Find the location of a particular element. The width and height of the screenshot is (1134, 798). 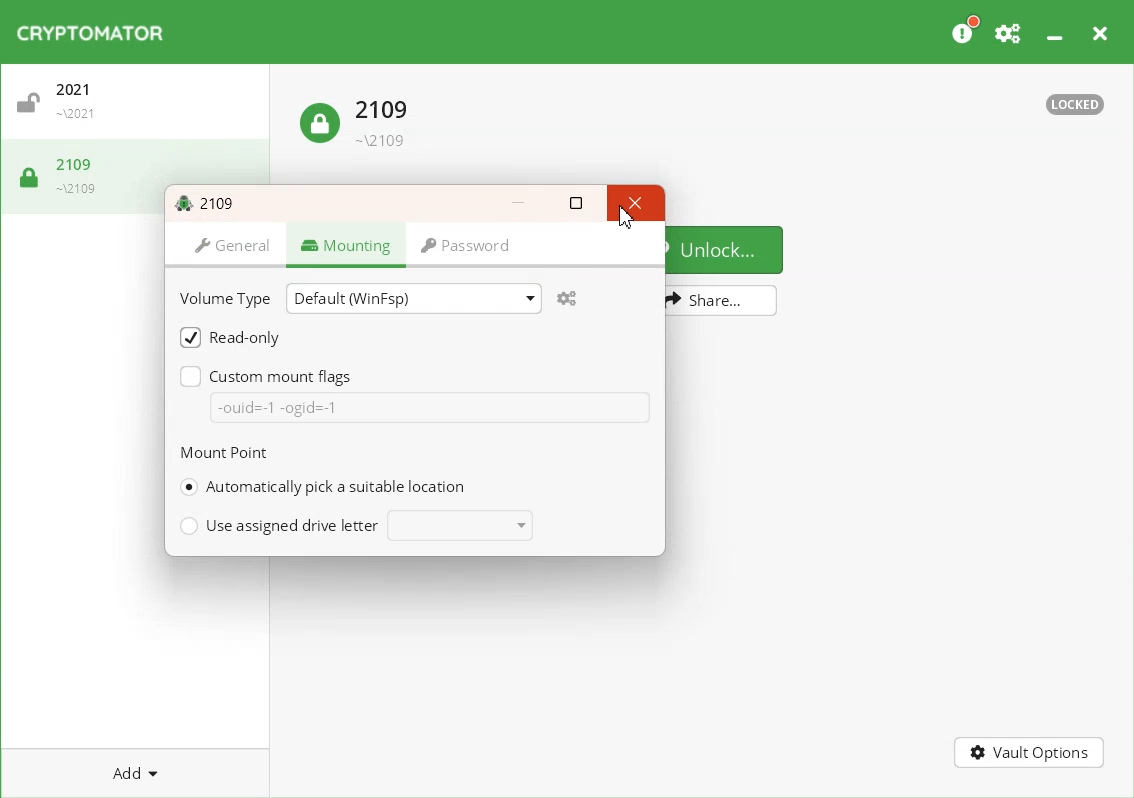

Logo is located at coordinates (93, 32).